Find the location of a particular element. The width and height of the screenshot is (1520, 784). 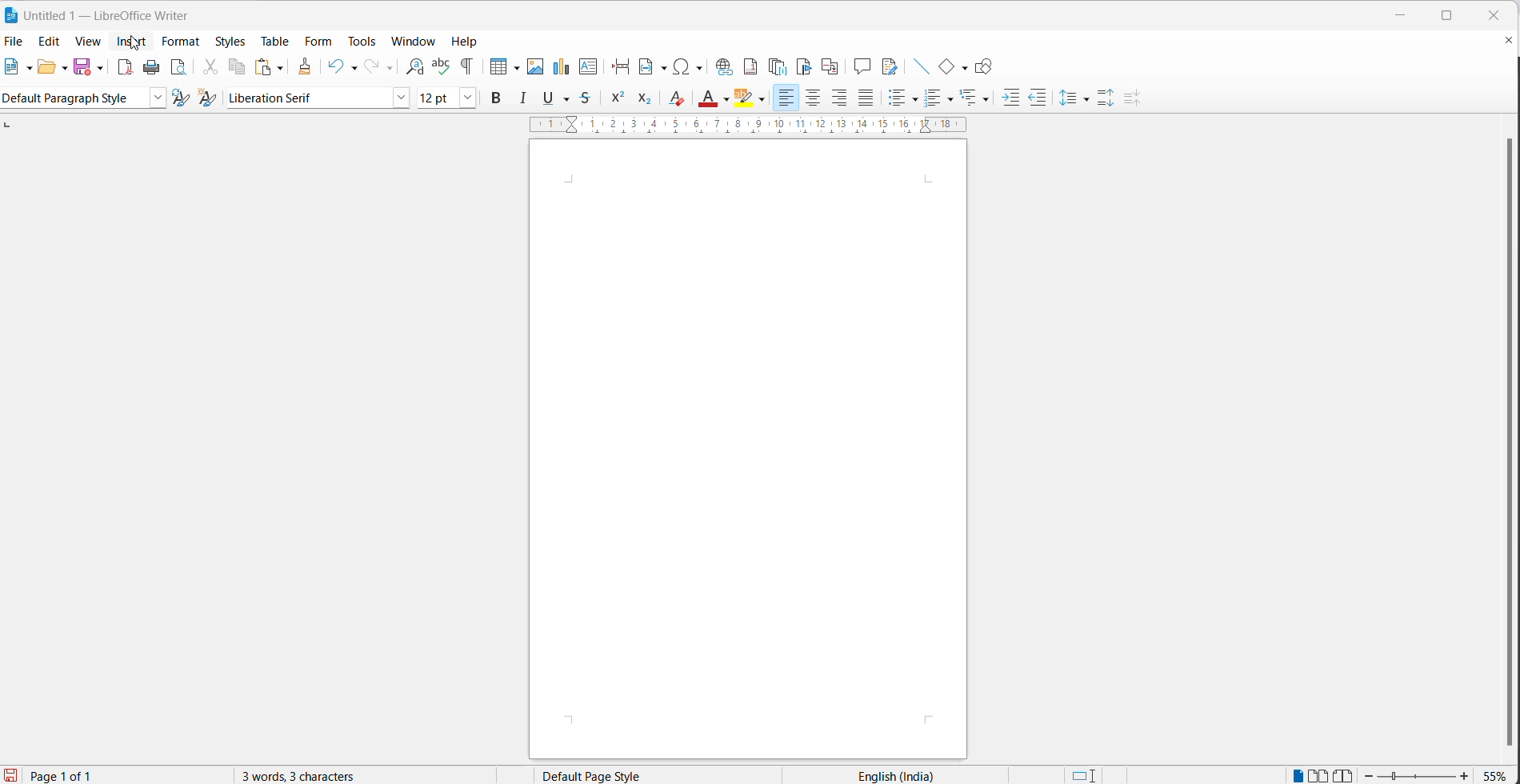

zoom percentage is located at coordinates (1498, 774).